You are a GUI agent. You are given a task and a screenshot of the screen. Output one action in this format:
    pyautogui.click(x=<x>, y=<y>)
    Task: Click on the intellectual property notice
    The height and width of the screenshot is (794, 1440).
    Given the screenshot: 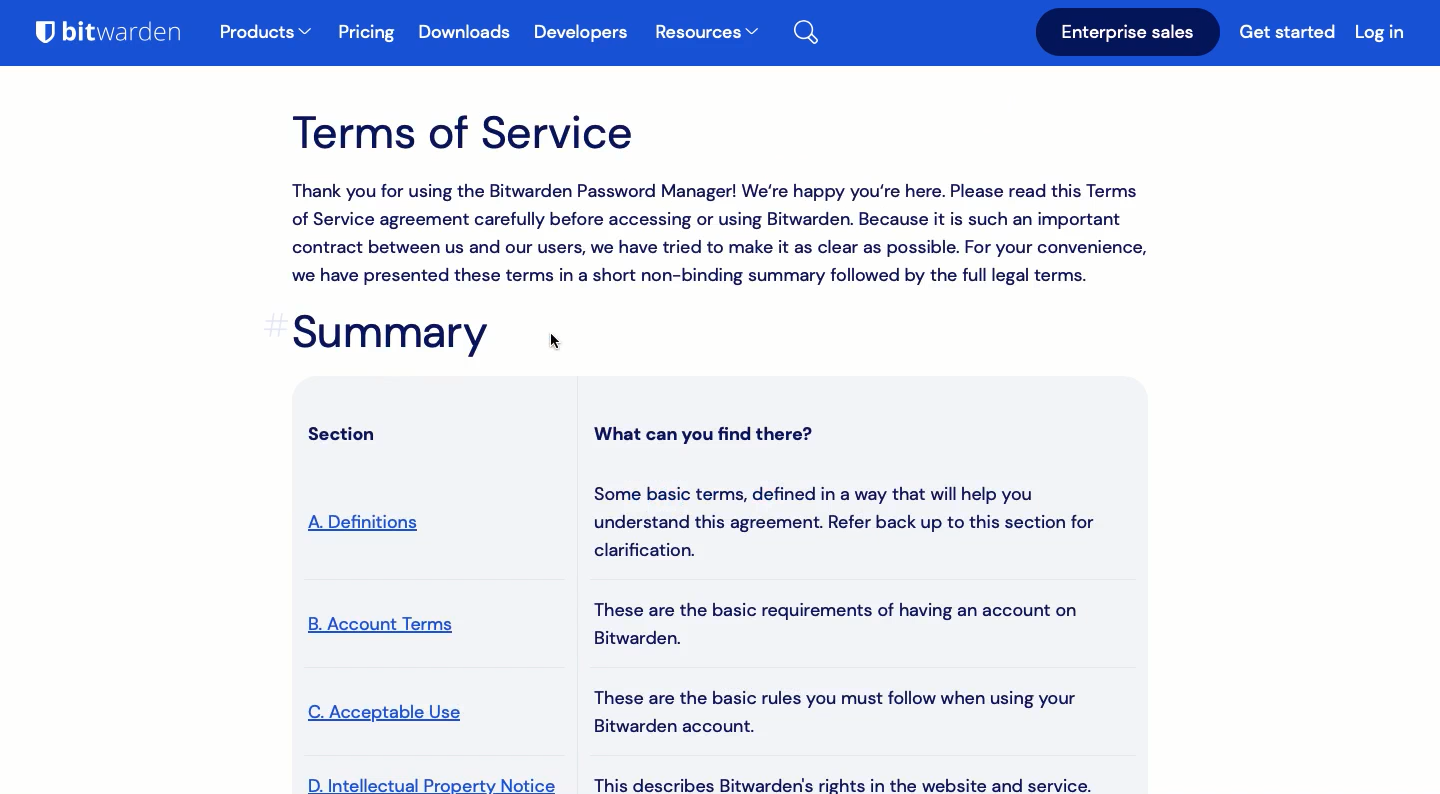 What is the action you would take?
    pyautogui.click(x=437, y=785)
    